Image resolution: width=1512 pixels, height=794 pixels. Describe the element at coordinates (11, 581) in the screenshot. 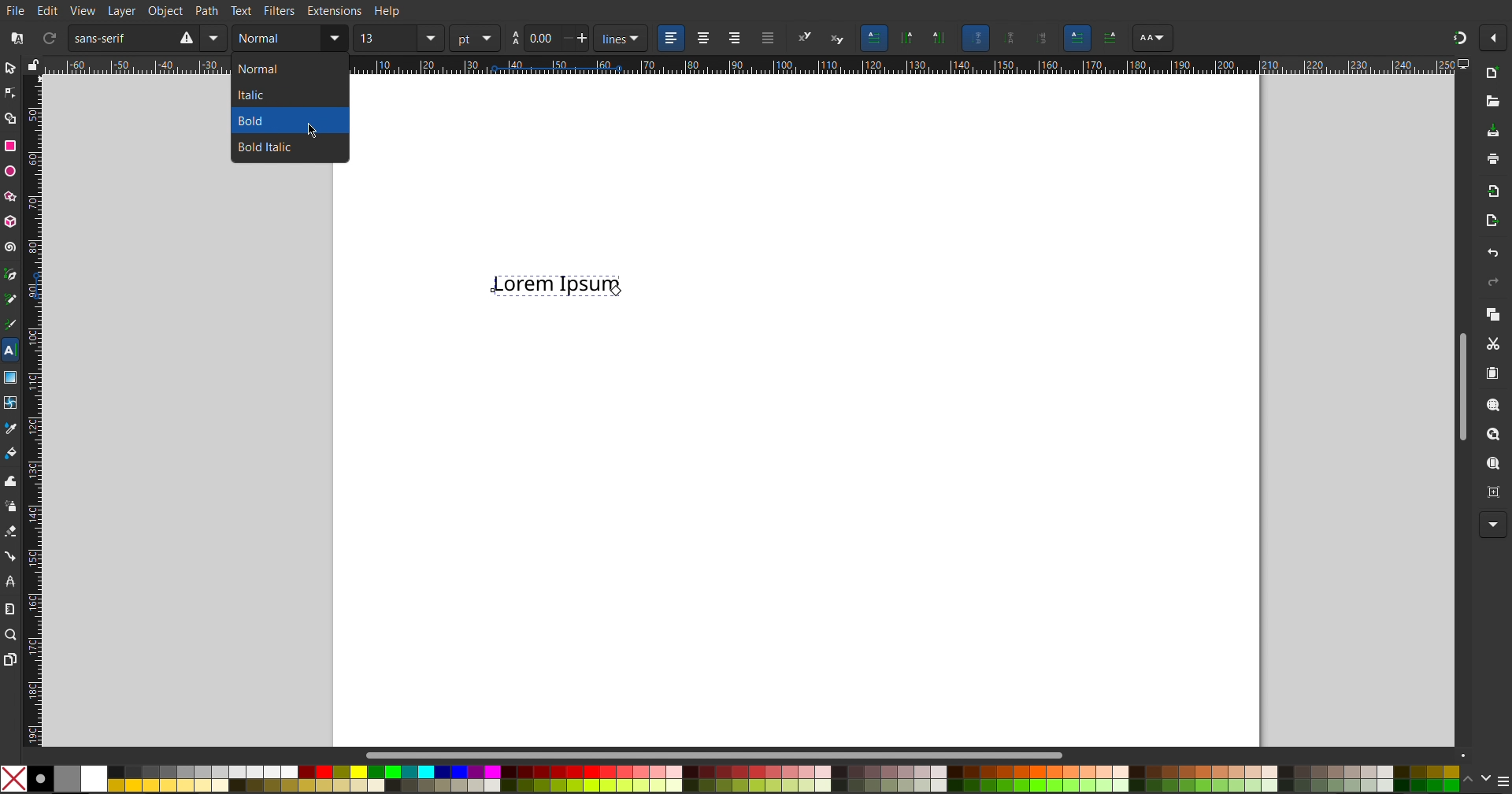

I see `LPE Tool` at that location.